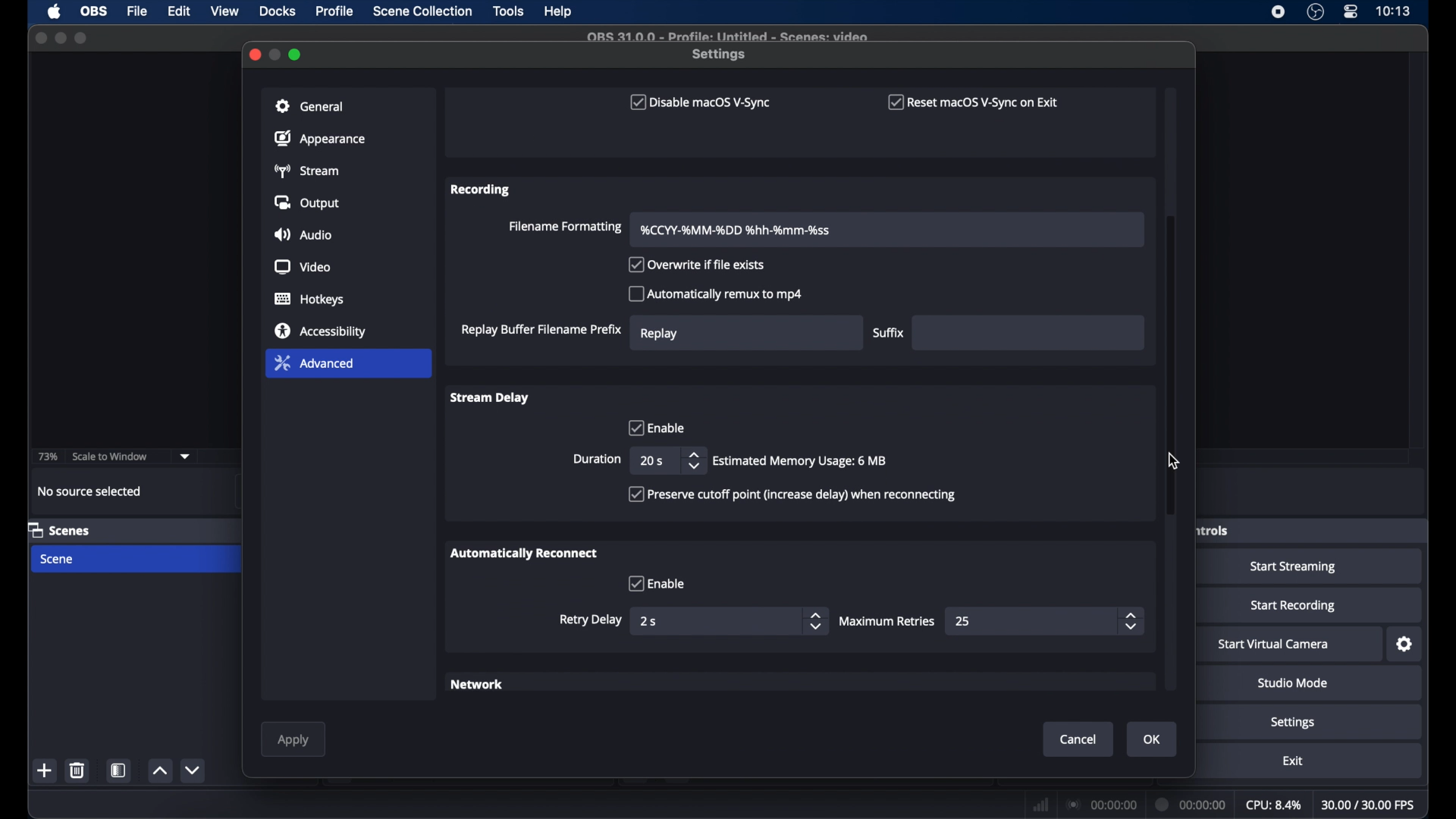 This screenshot has width=1456, height=819. I want to click on network, so click(1040, 803).